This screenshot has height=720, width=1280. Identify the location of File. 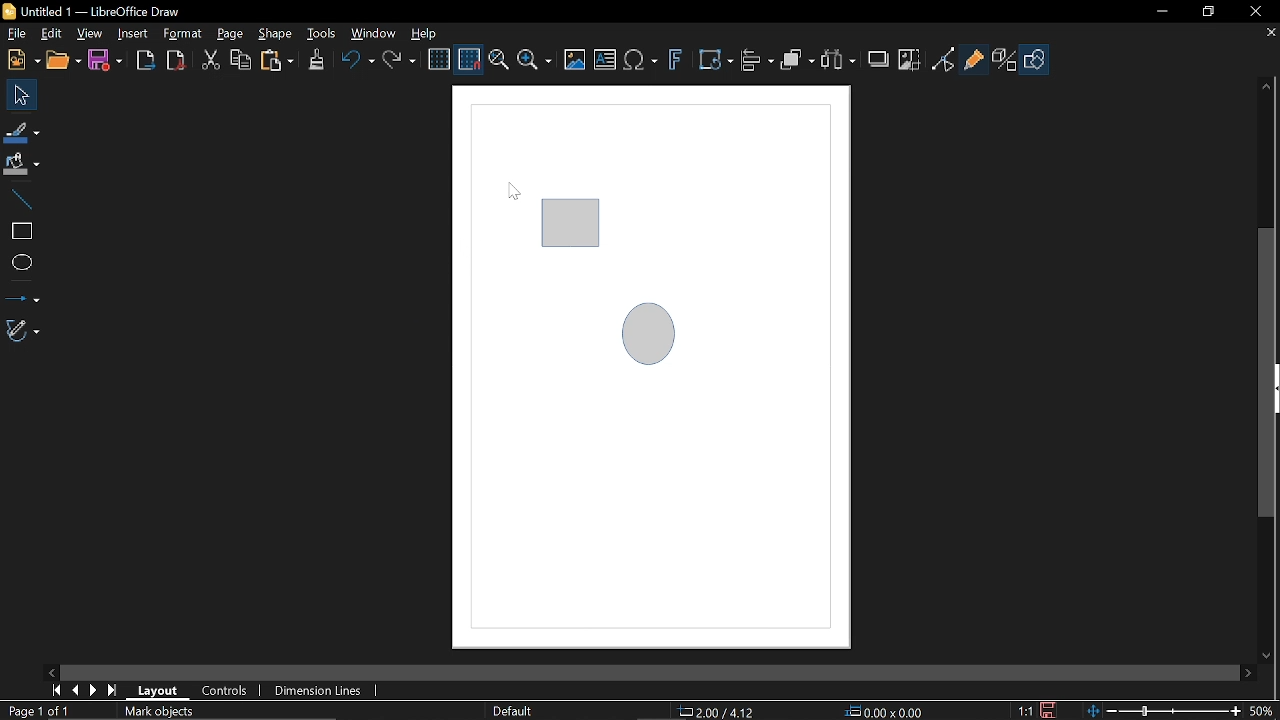
(18, 33).